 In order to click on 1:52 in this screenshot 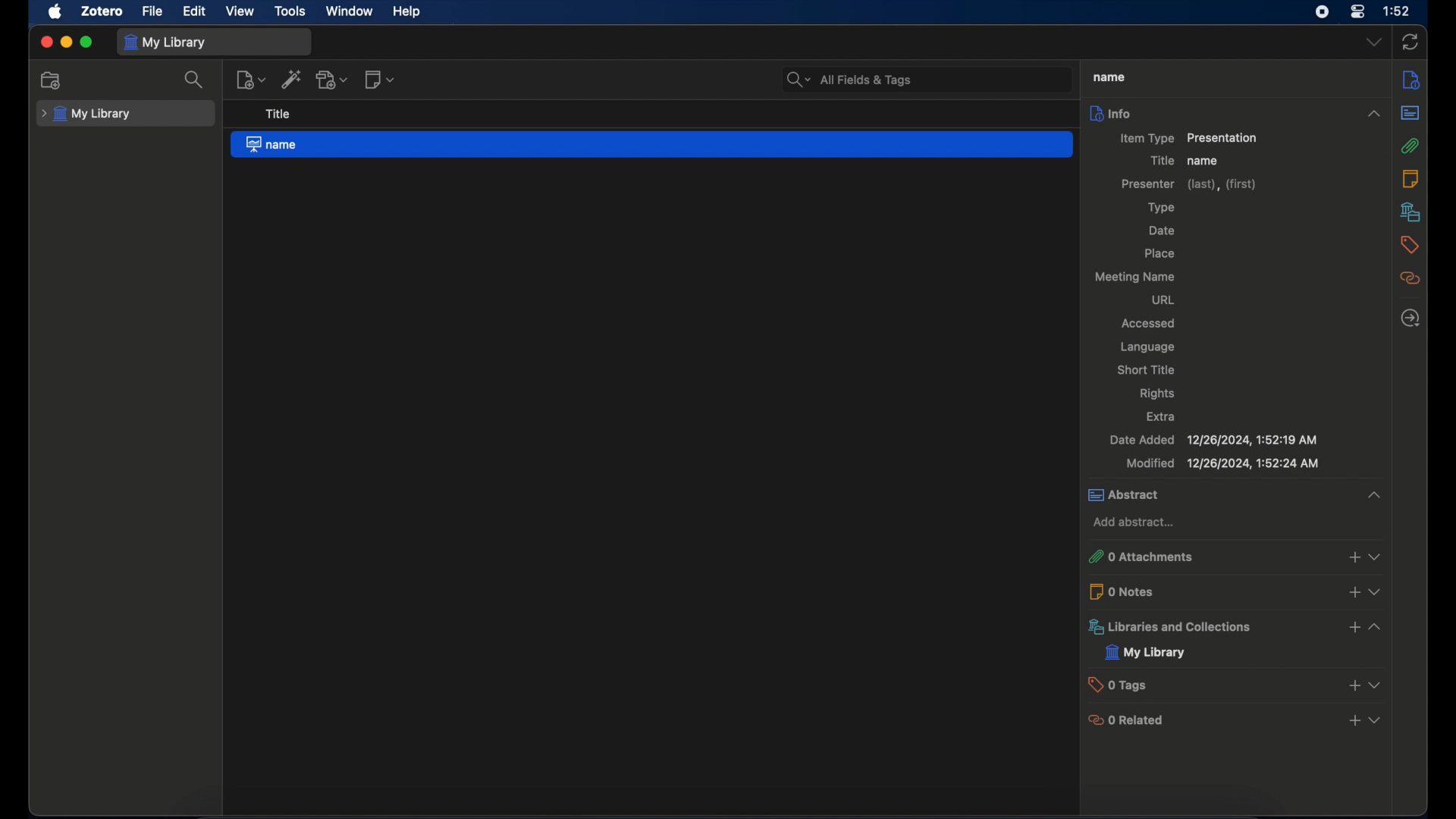, I will do `click(1398, 11)`.